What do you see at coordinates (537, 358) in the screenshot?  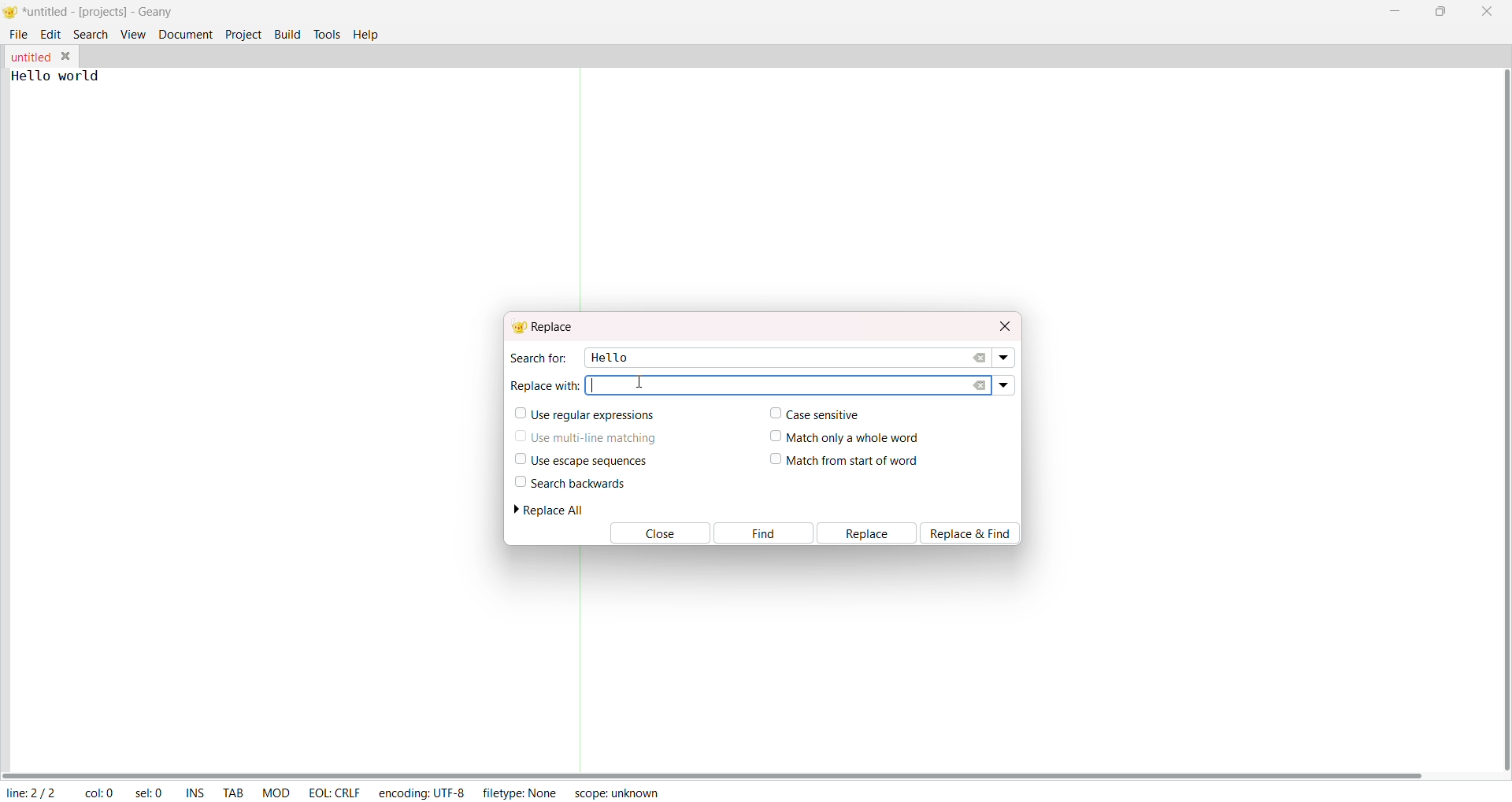 I see `search for` at bounding box center [537, 358].